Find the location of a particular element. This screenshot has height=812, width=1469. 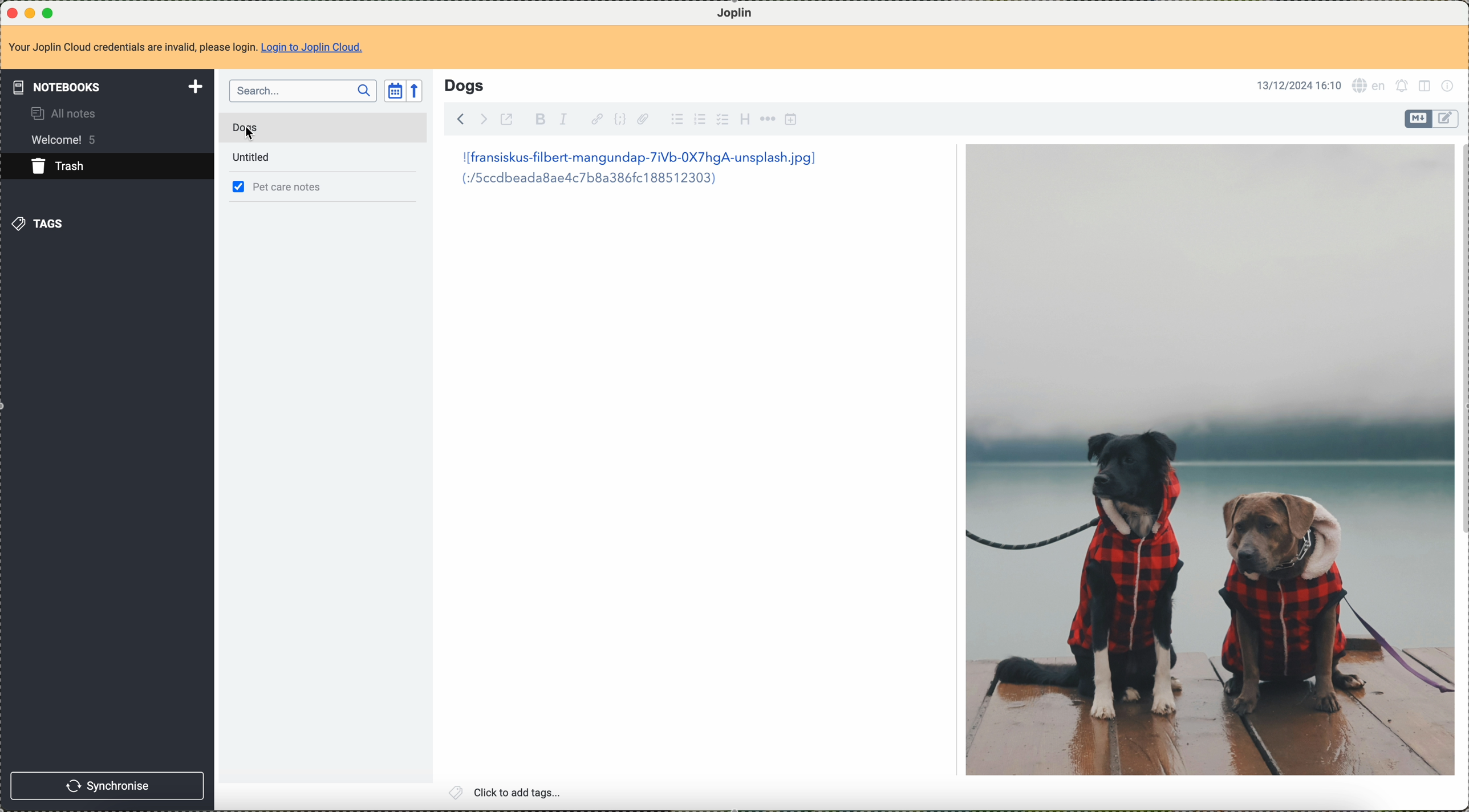

toggle editor layout is located at coordinates (1427, 87).